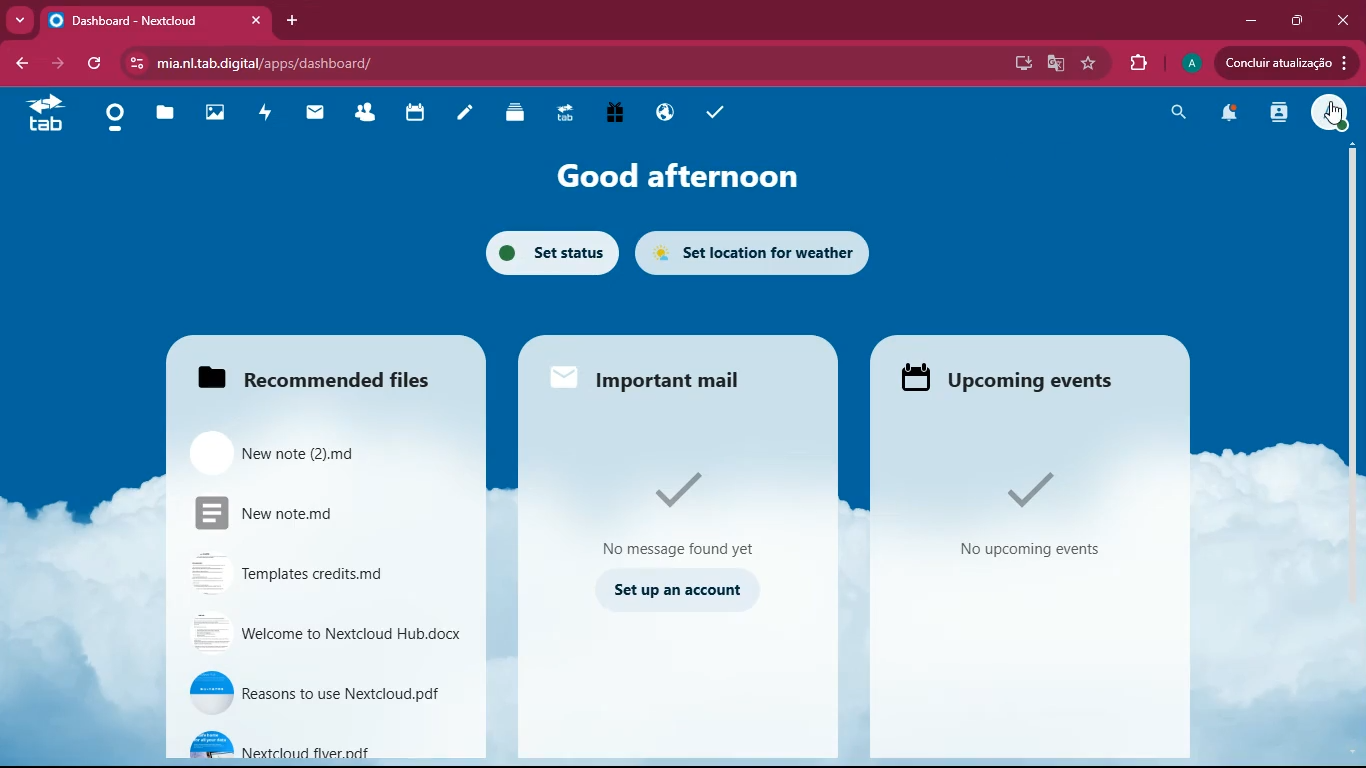 The height and width of the screenshot is (768, 1366). I want to click on close, so click(1346, 18).